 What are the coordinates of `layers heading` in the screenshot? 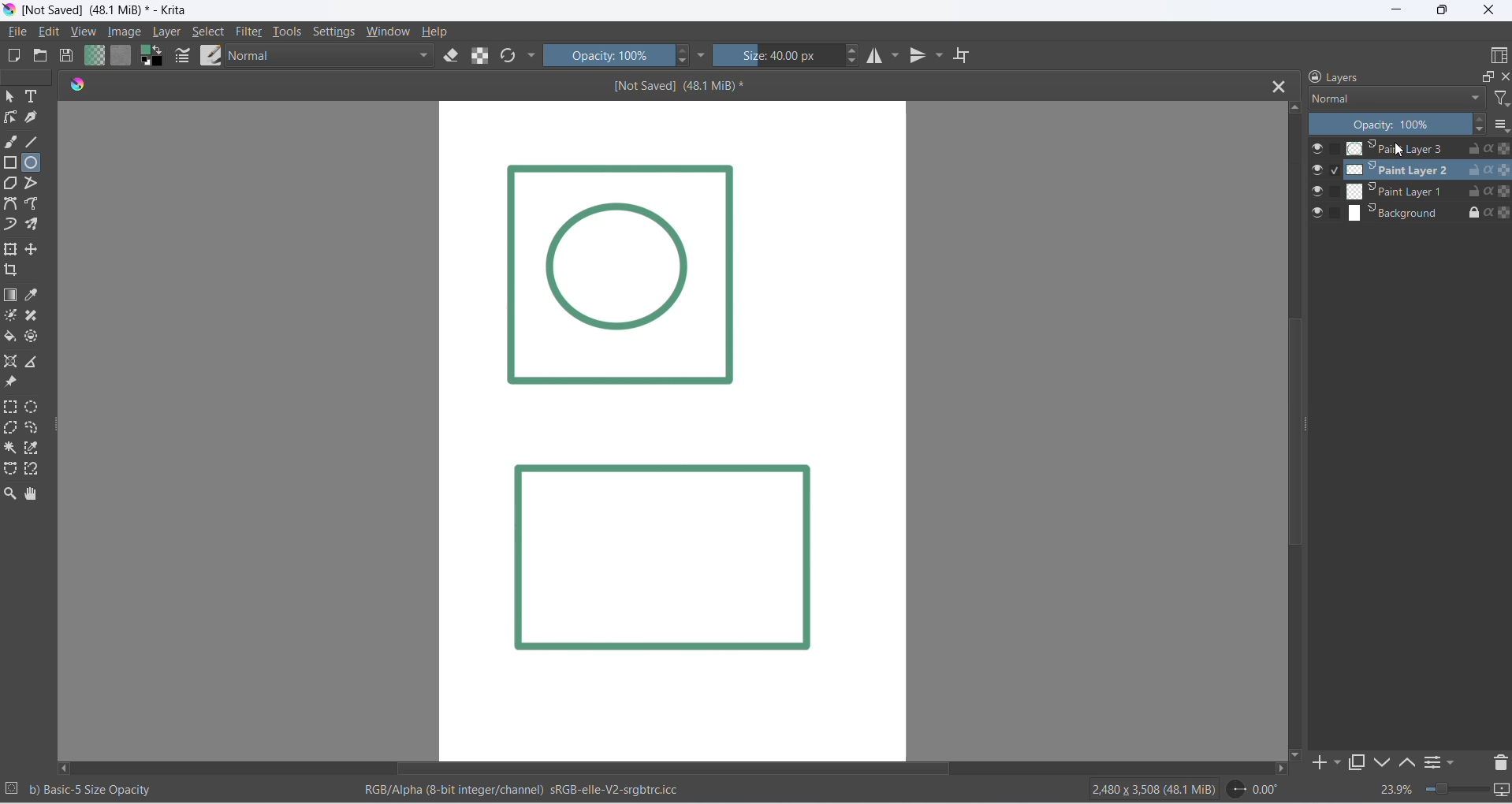 It's located at (1380, 76).